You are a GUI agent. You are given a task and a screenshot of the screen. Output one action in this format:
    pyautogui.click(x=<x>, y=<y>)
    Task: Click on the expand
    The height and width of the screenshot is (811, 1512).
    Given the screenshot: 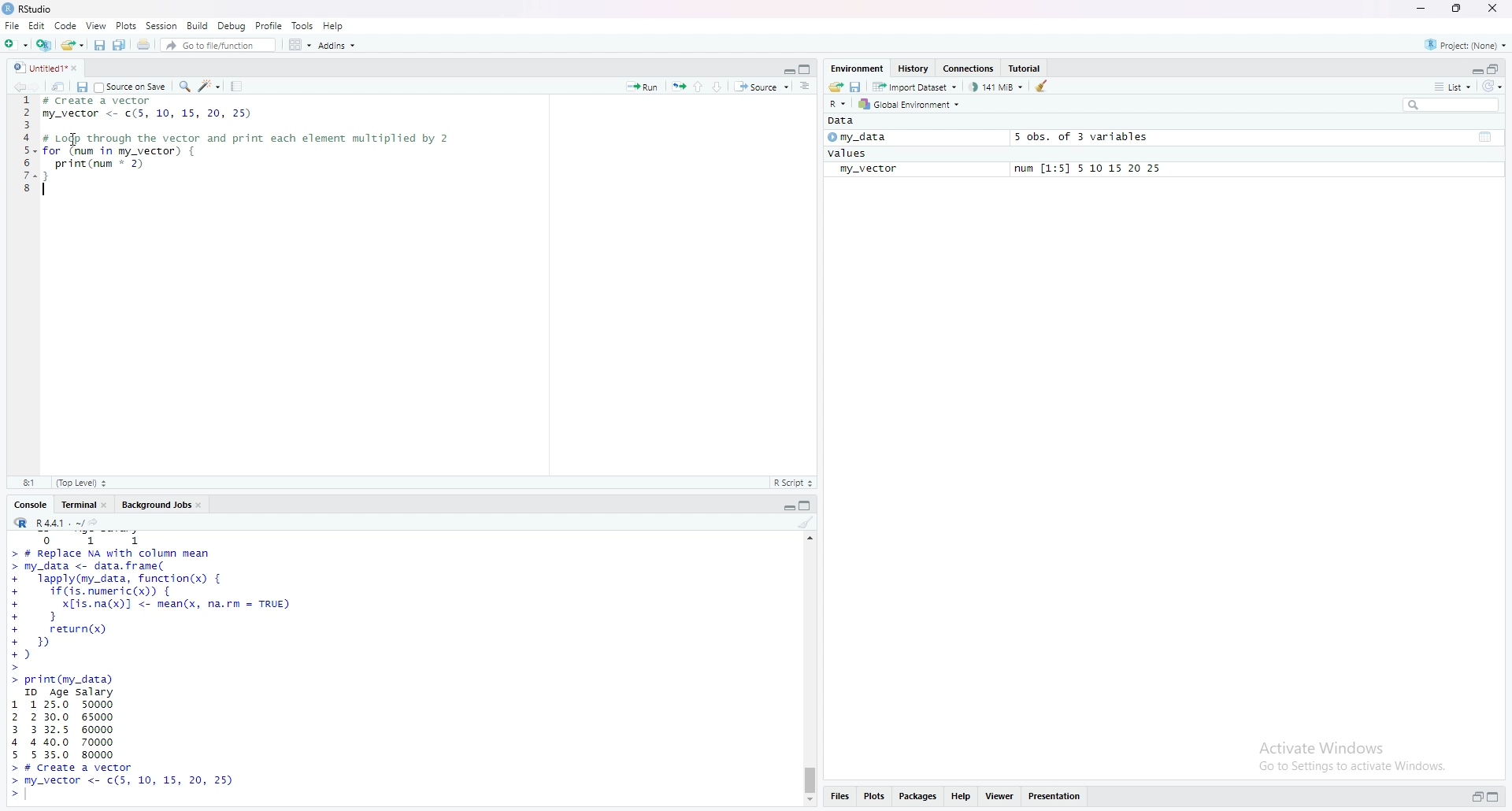 What is the action you would take?
    pyautogui.click(x=1475, y=797)
    